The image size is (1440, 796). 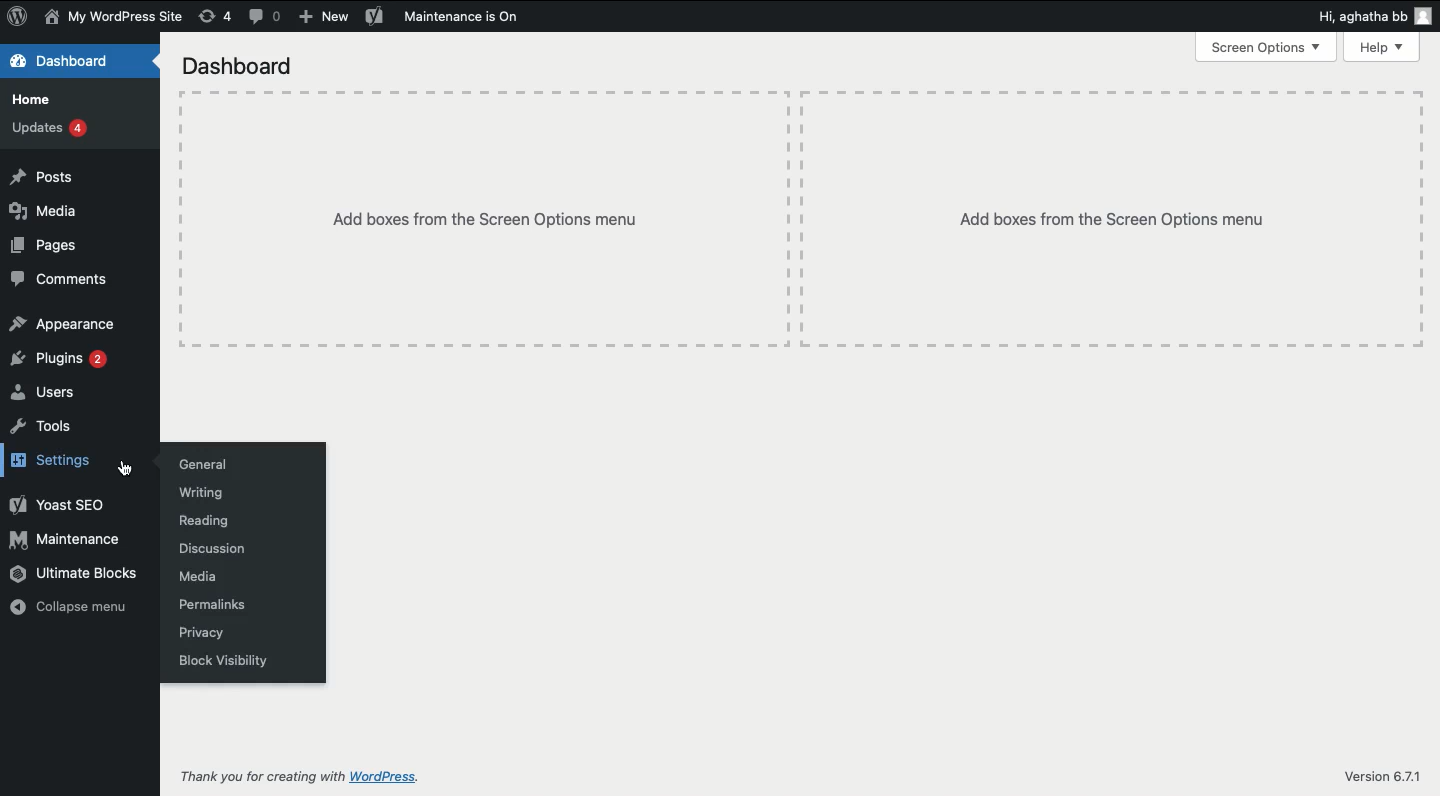 I want to click on appearance , so click(x=69, y=324).